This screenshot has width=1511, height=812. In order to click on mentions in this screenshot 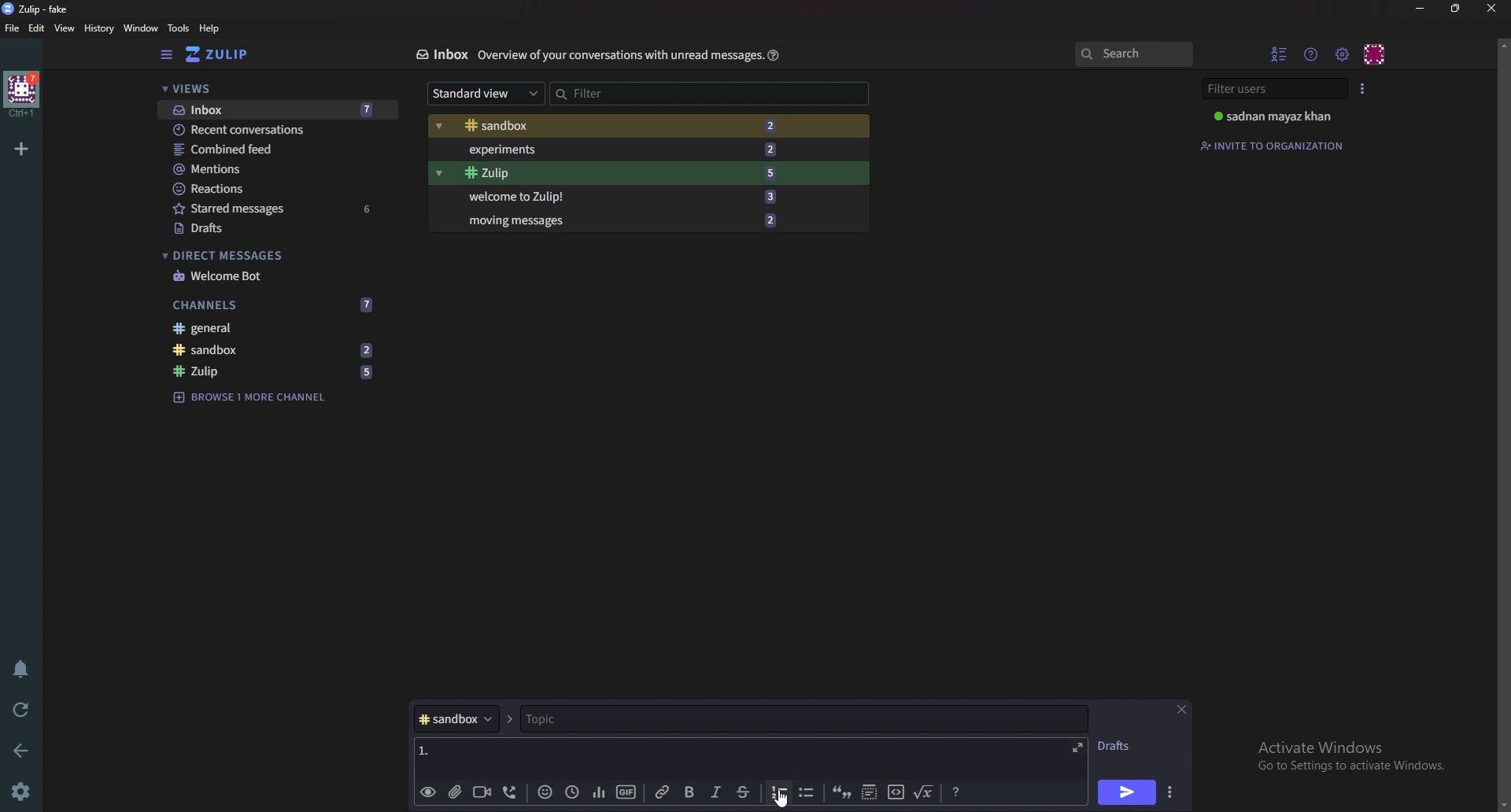, I will do `click(277, 170)`.